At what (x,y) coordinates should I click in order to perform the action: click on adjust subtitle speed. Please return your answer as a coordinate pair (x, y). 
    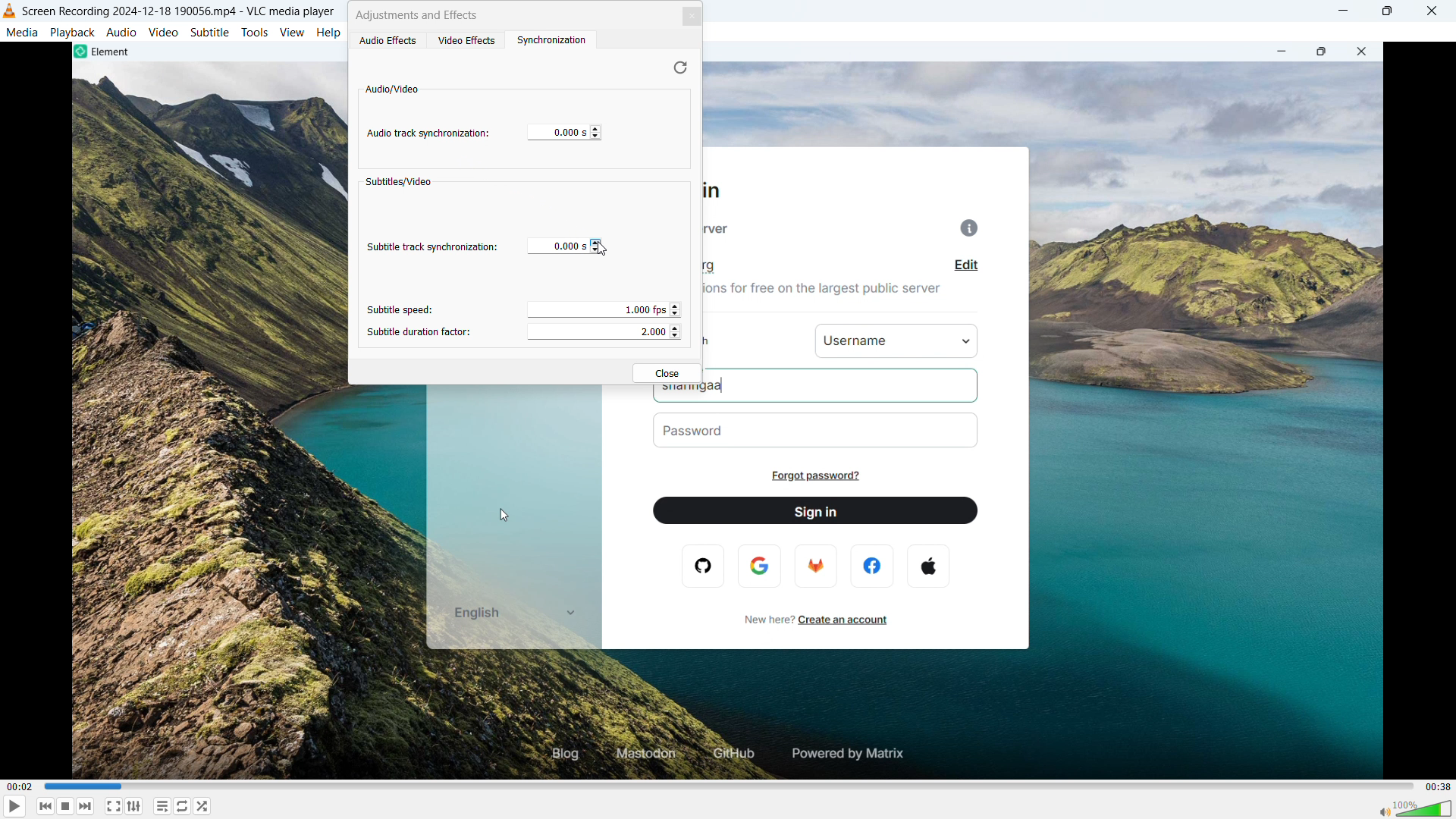
    Looking at the image, I should click on (603, 310).